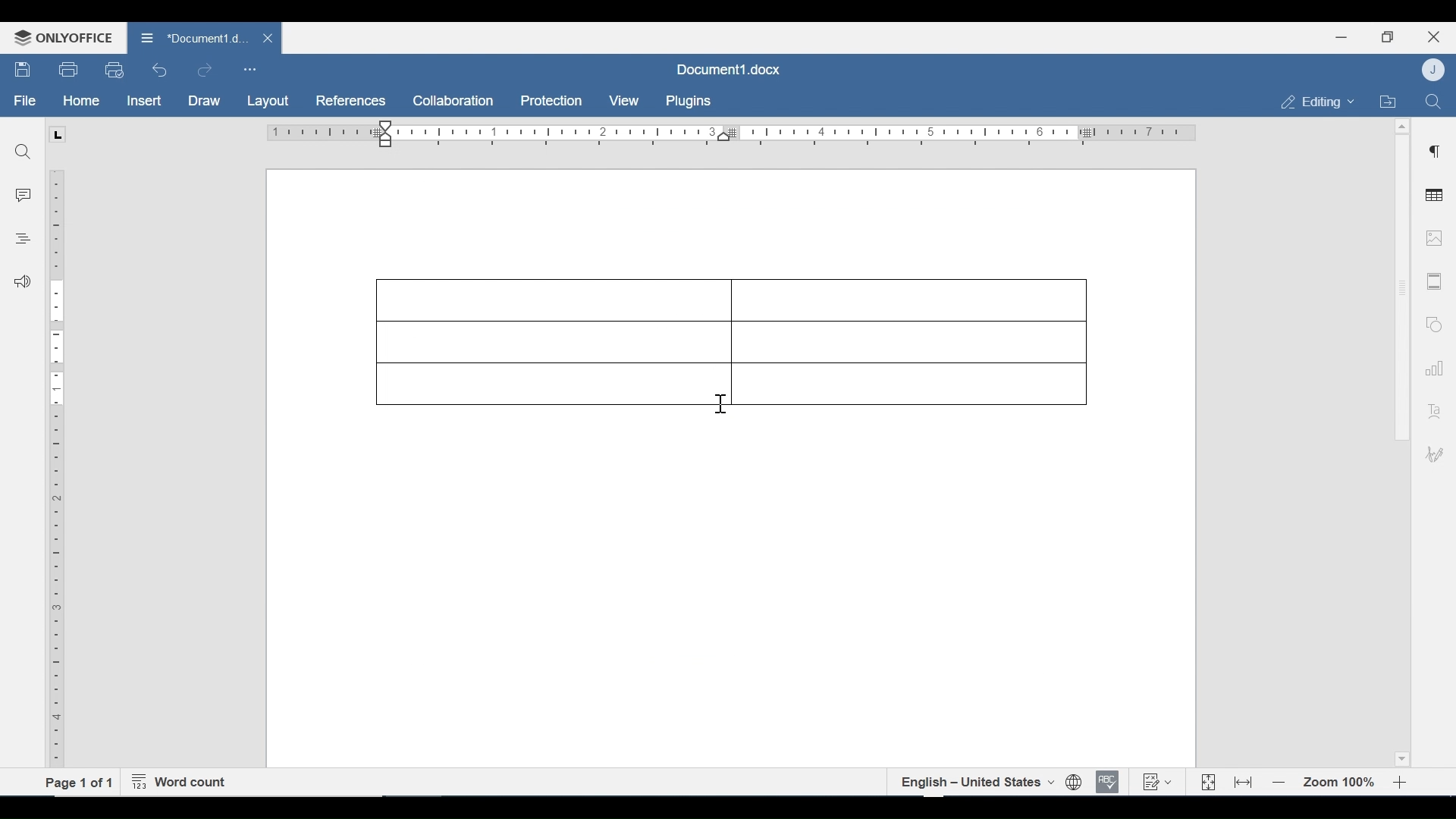 This screenshot has width=1456, height=819. I want to click on Close, so click(1434, 35).